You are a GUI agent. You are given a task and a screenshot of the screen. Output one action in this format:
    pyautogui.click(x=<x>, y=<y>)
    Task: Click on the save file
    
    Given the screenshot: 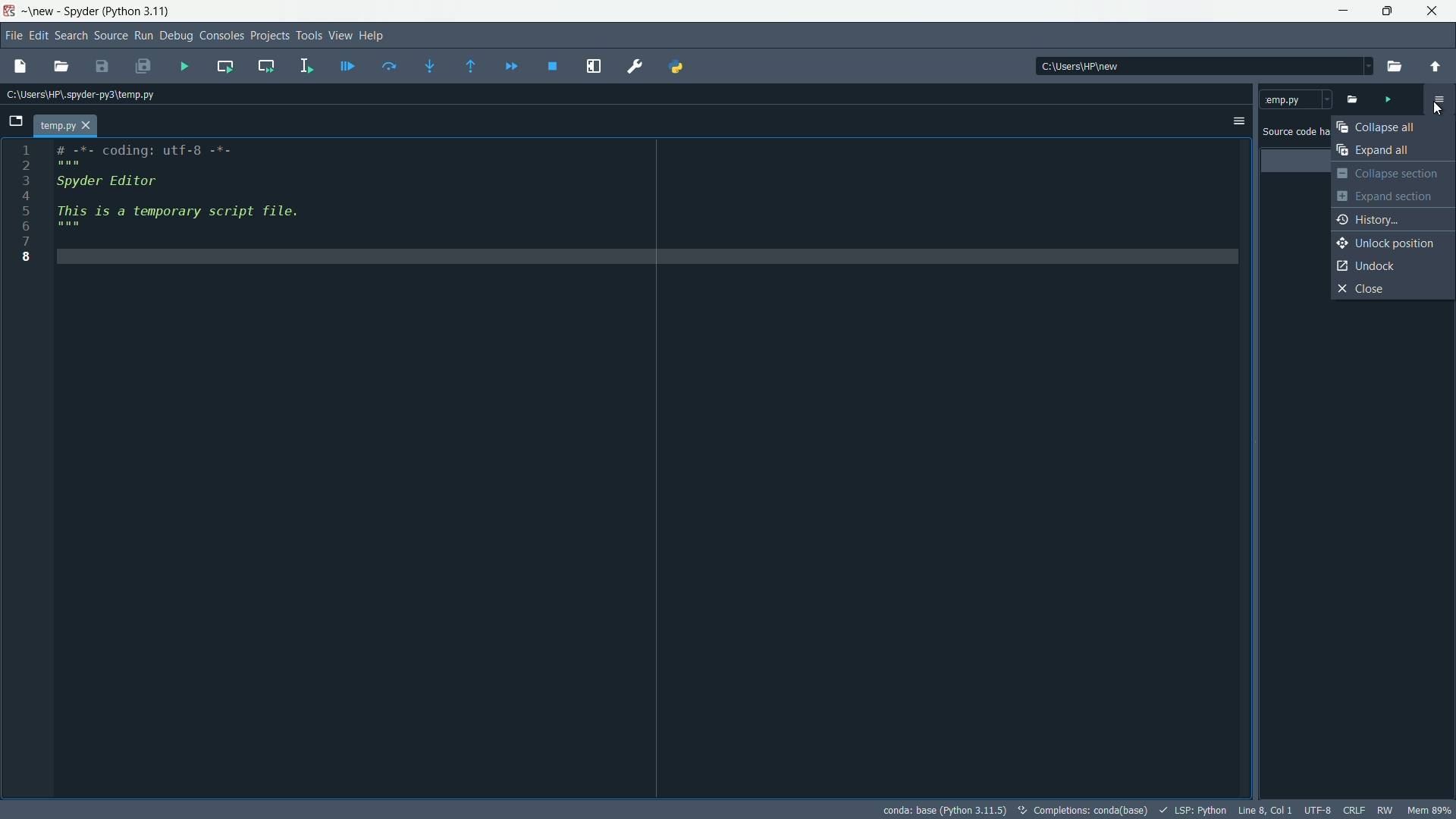 What is the action you would take?
    pyautogui.click(x=103, y=67)
    